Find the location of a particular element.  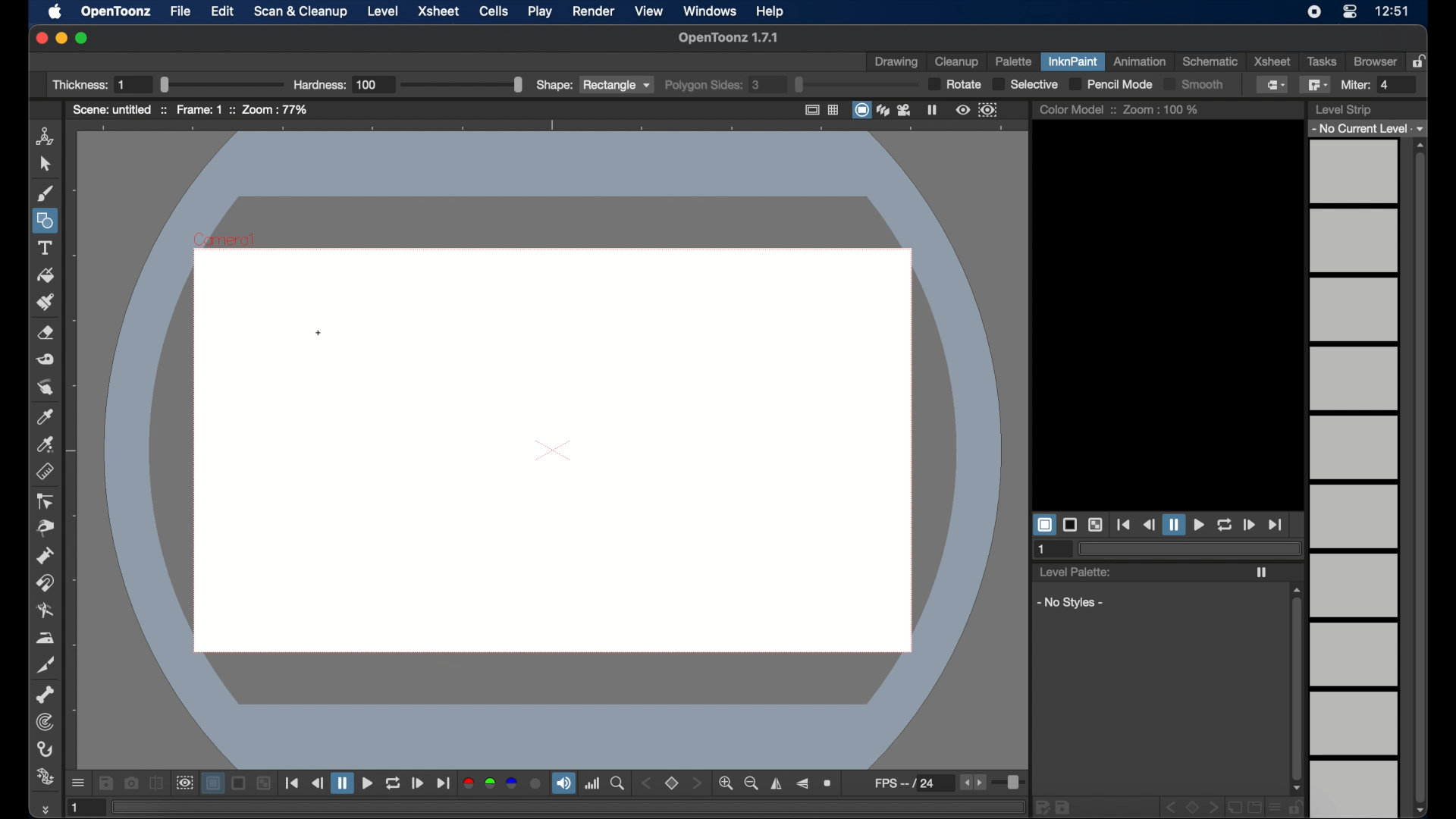

set view is located at coordinates (672, 784).